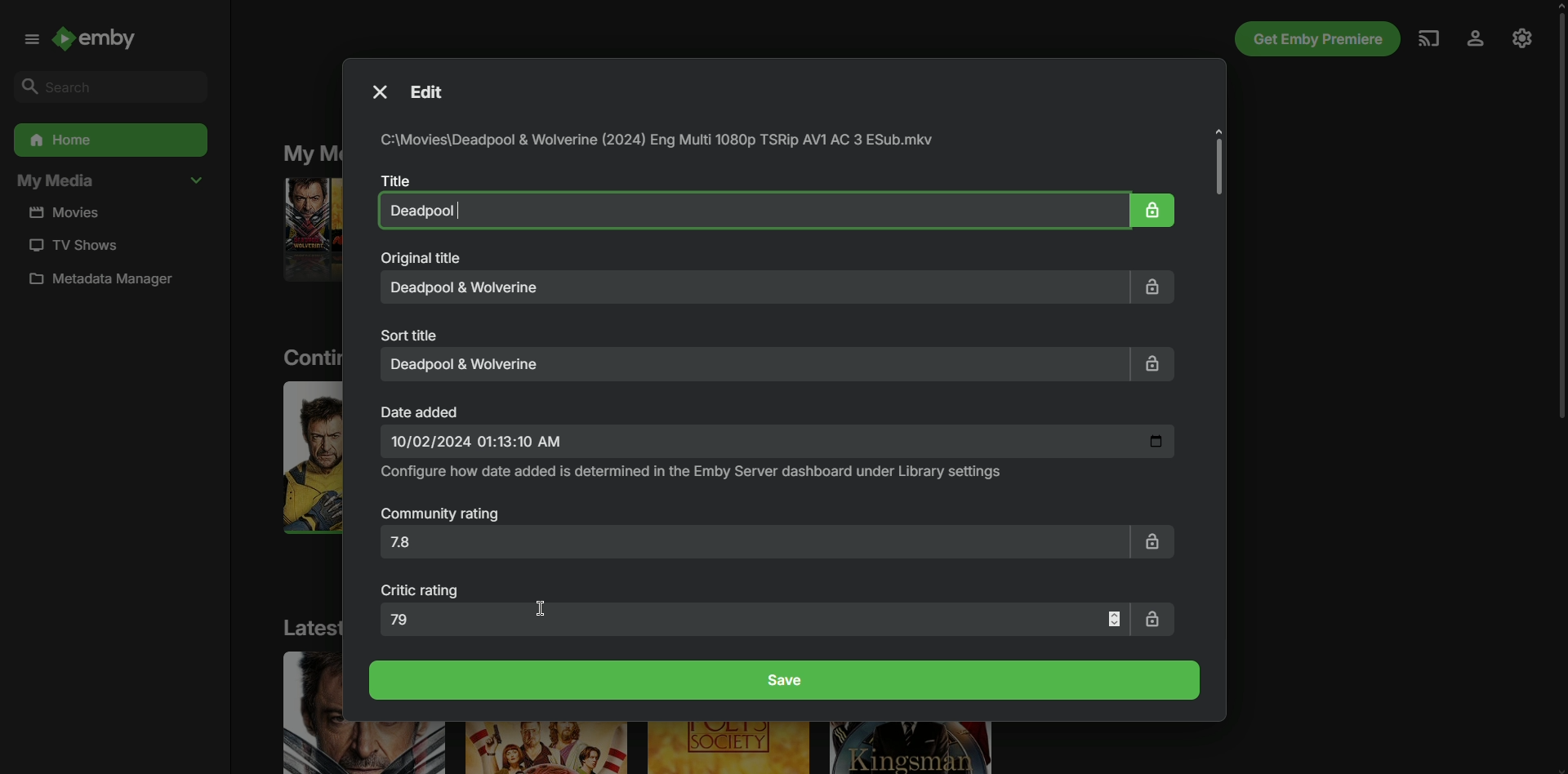 This screenshot has width=1568, height=774. Describe the element at coordinates (747, 210) in the screenshot. I see `Deadpool and Wolverine` at that location.